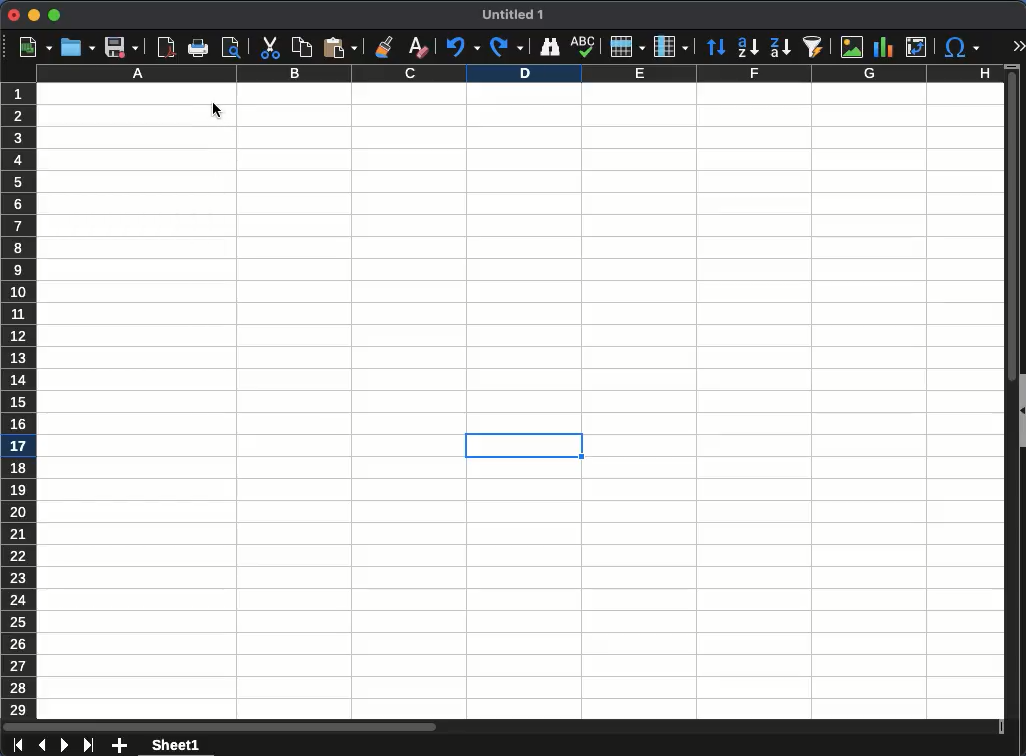 This screenshot has width=1026, height=756. I want to click on chart, so click(883, 47).